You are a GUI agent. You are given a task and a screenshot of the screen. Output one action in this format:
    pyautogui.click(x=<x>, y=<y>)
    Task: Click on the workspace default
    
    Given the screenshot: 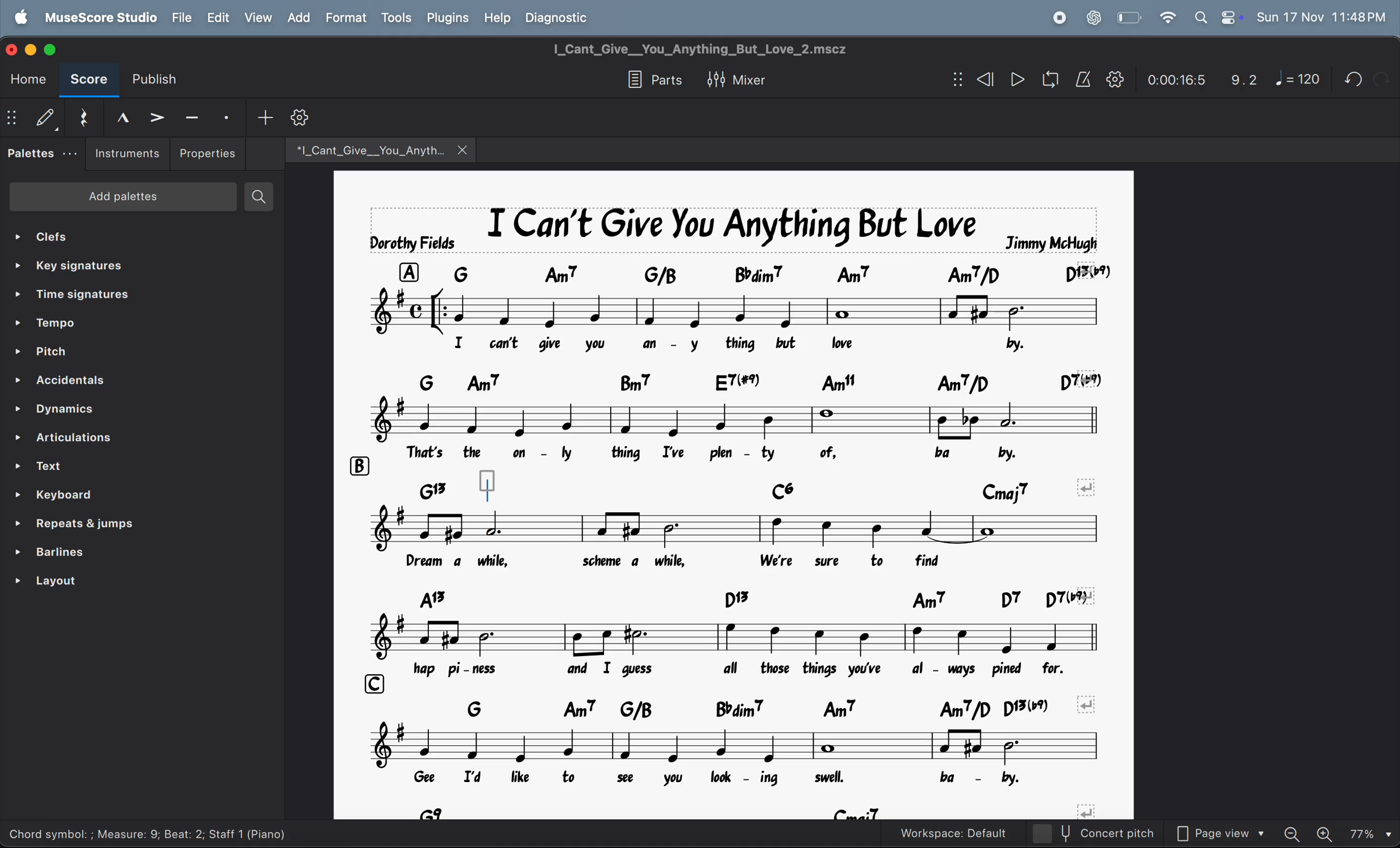 What is the action you would take?
    pyautogui.click(x=949, y=831)
    